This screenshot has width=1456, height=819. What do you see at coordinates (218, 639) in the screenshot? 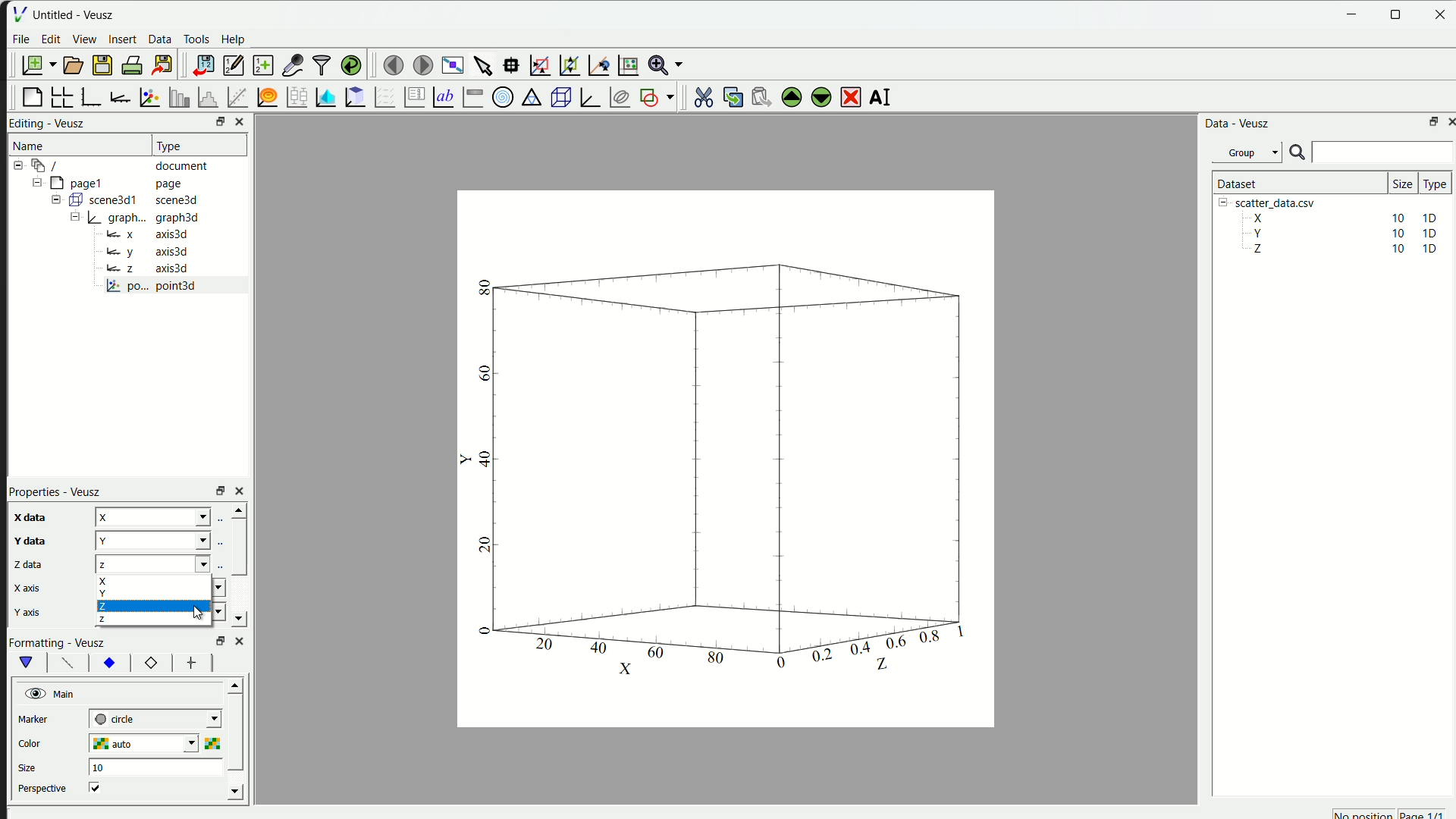
I see `` at bounding box center [218, 639].